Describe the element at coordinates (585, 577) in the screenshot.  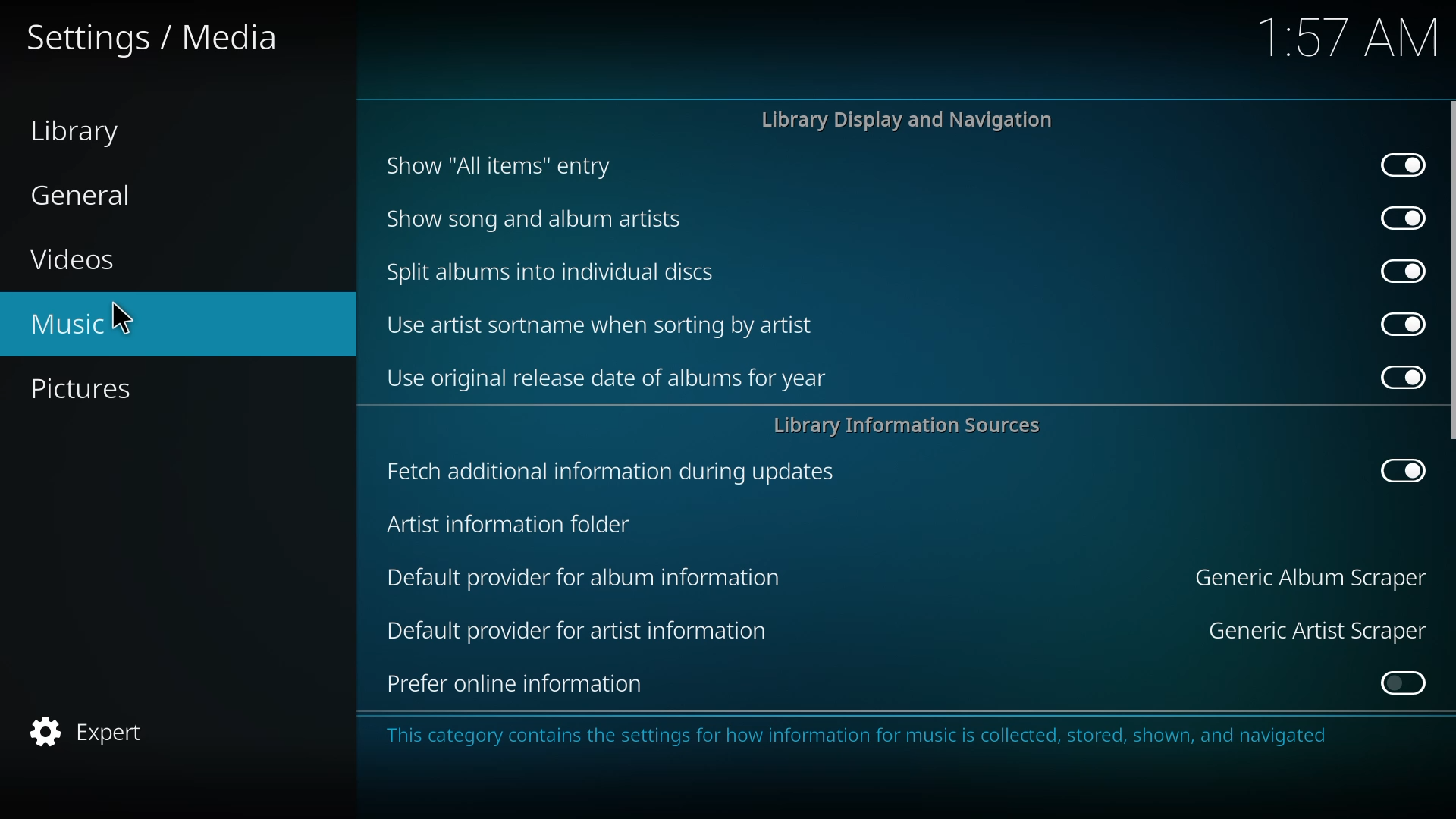
I see `default provider for album information` at that location.